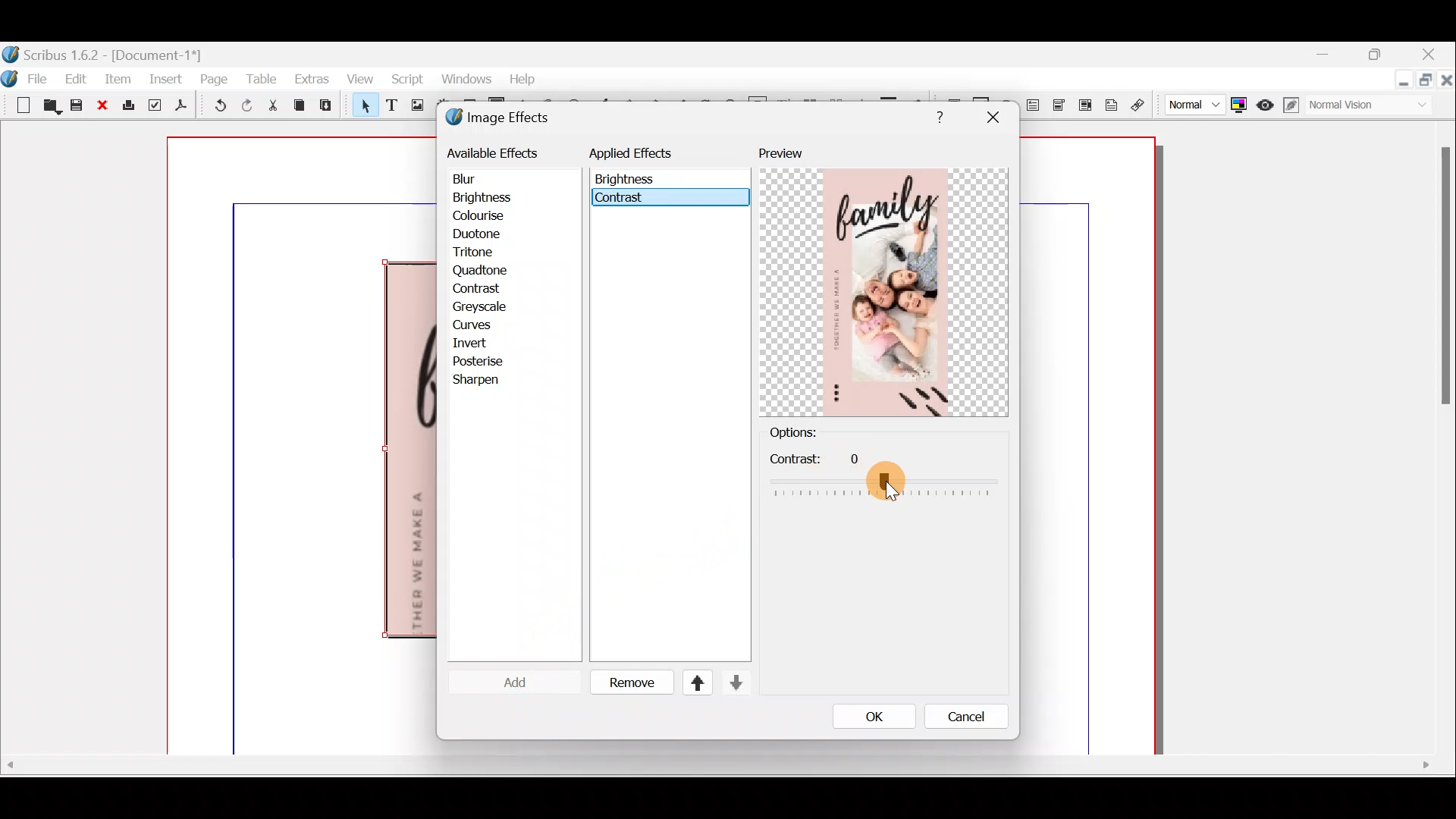  I want to click on Quatone, so click(480, 271).